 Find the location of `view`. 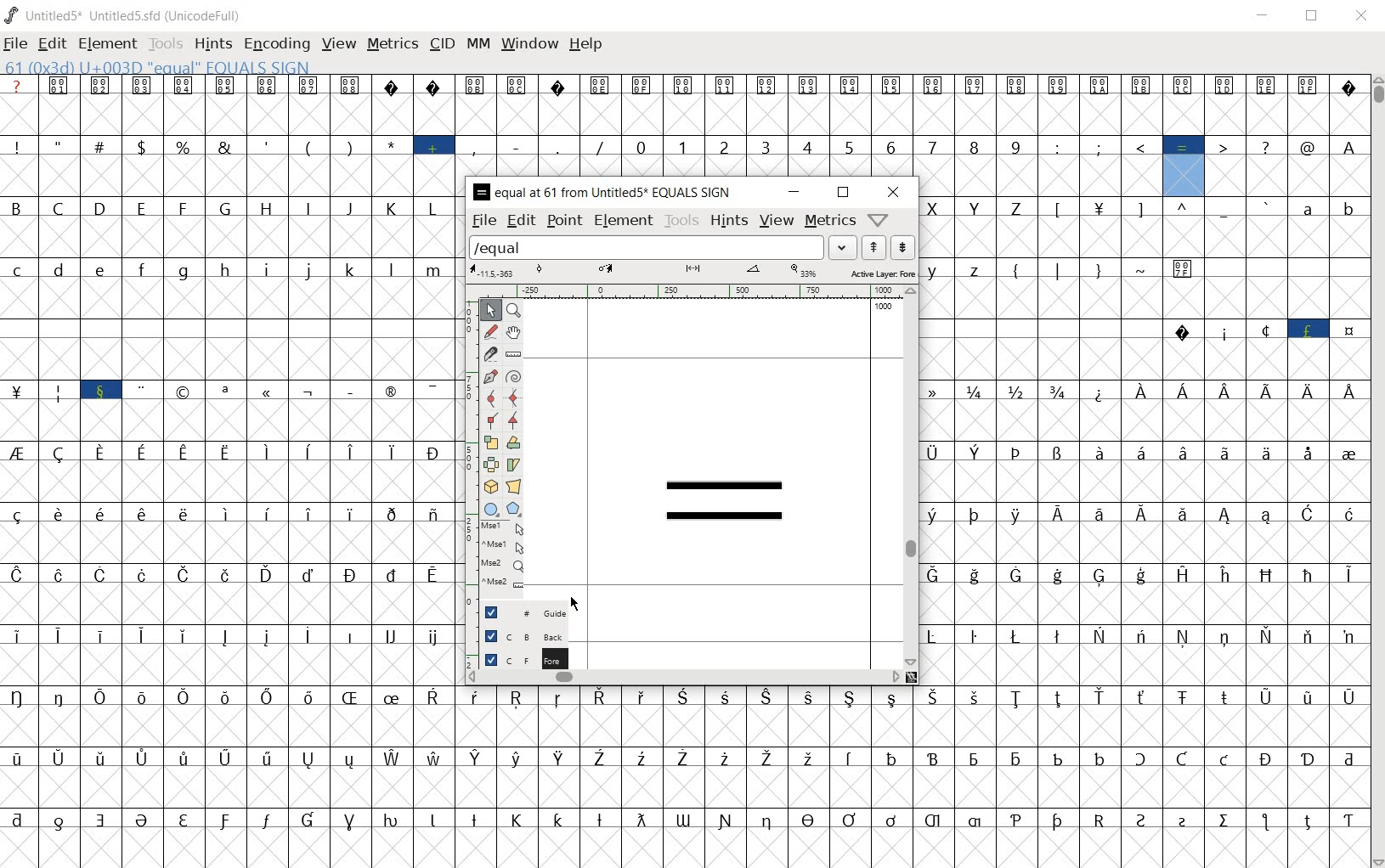

view is located at coordinates (776, 222).